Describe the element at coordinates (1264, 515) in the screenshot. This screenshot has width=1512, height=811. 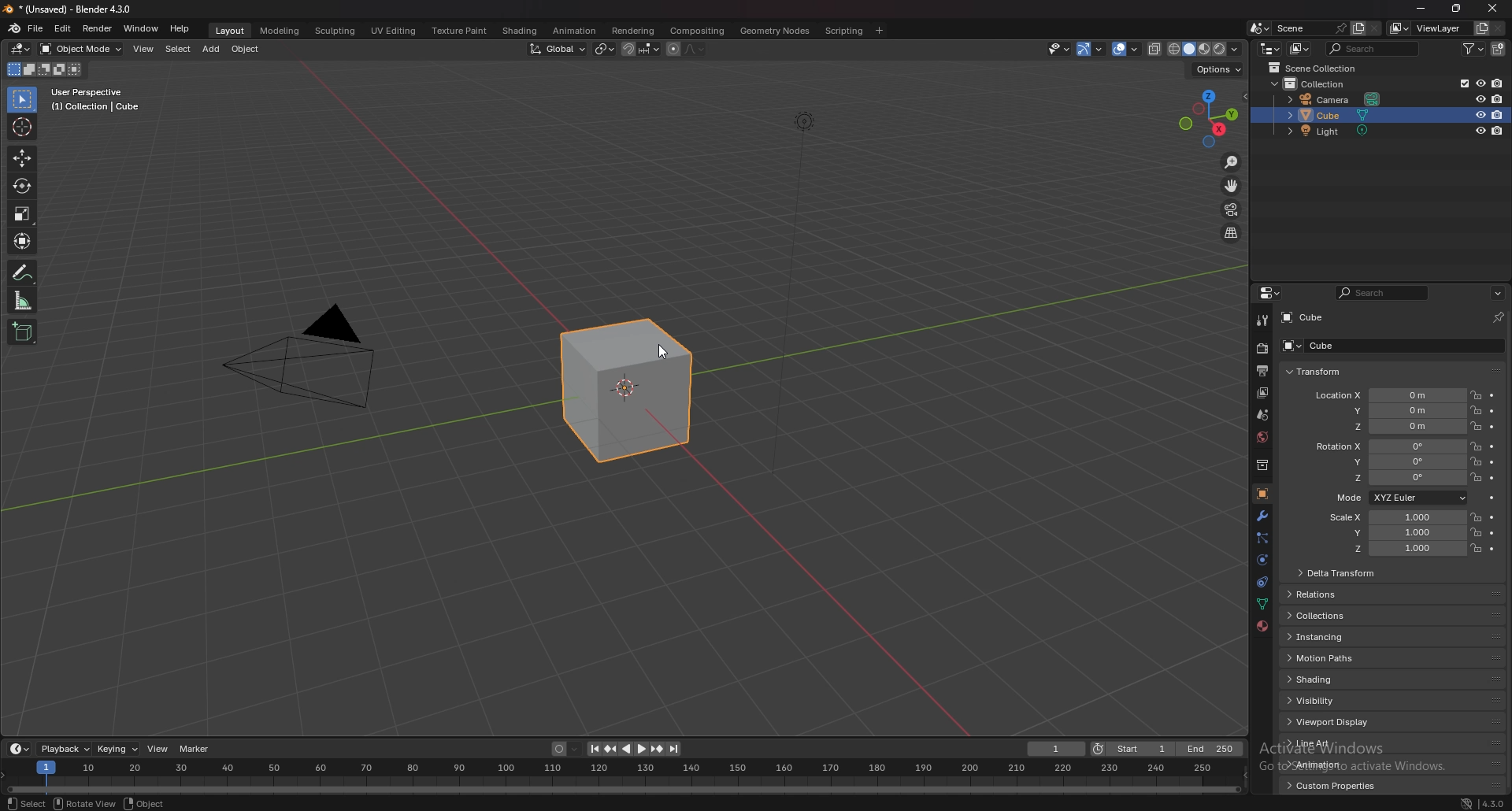
I see `modifier` at that location.